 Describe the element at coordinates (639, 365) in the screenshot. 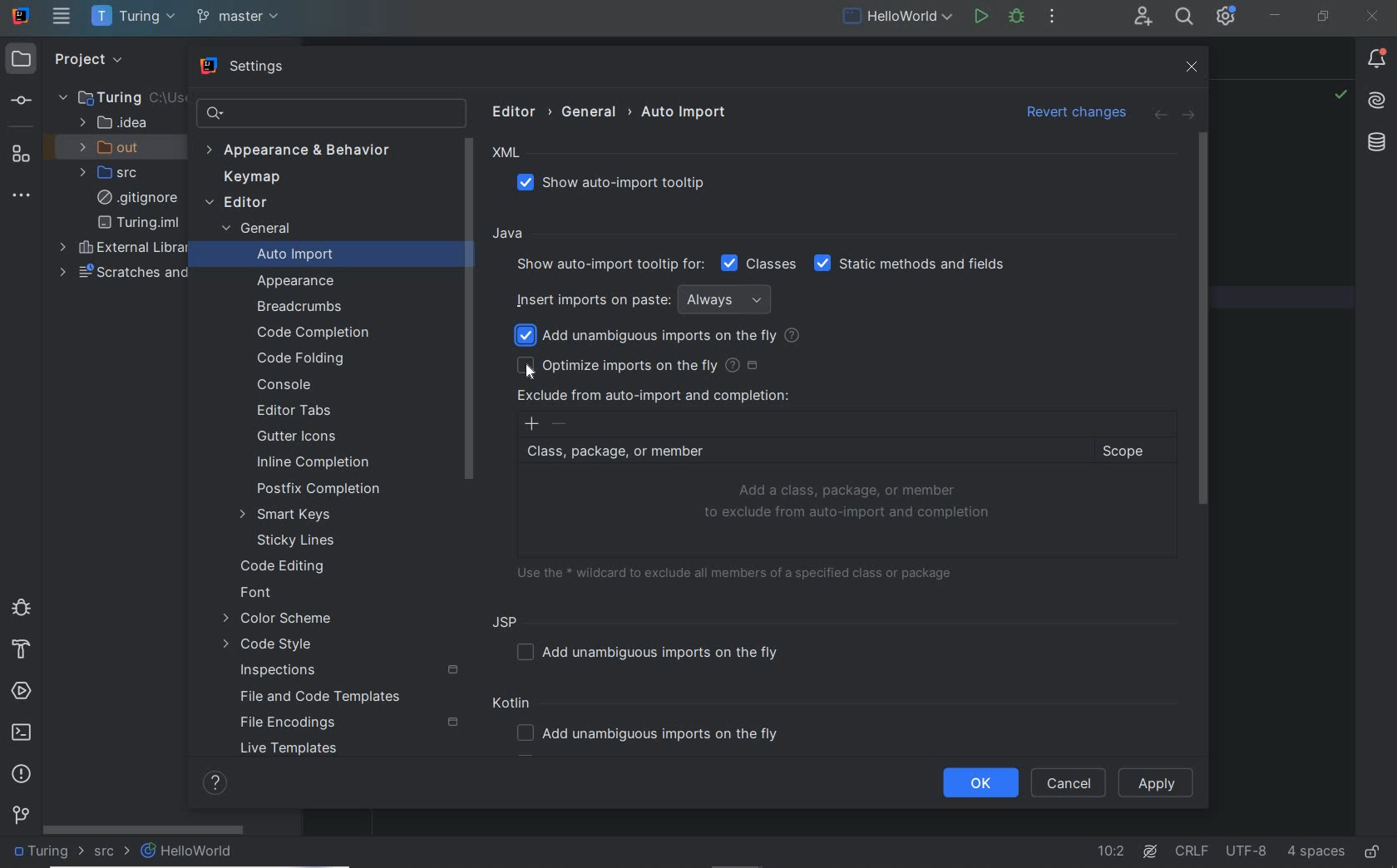

I see `OPTIMIZE IMPORTS ON THE FLY` at that location.